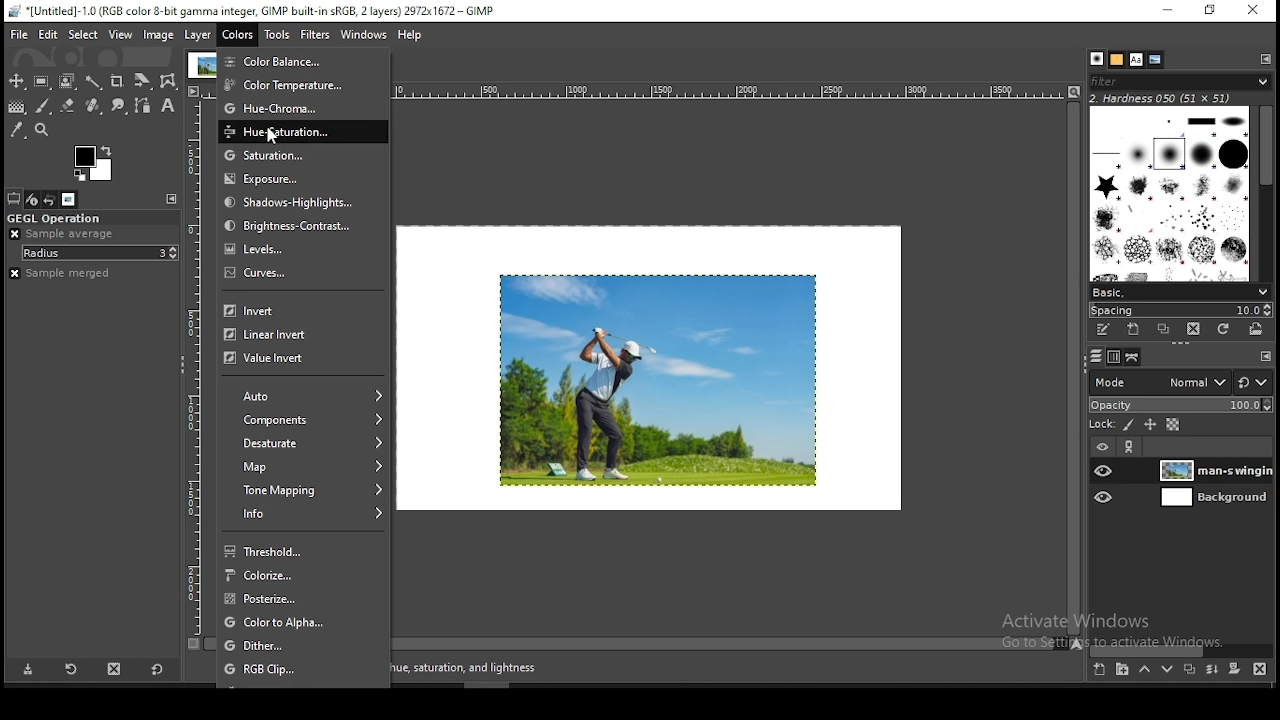  Describe the element at coordinates (1136, 358) in the screenshot. I see `paths` at that location.